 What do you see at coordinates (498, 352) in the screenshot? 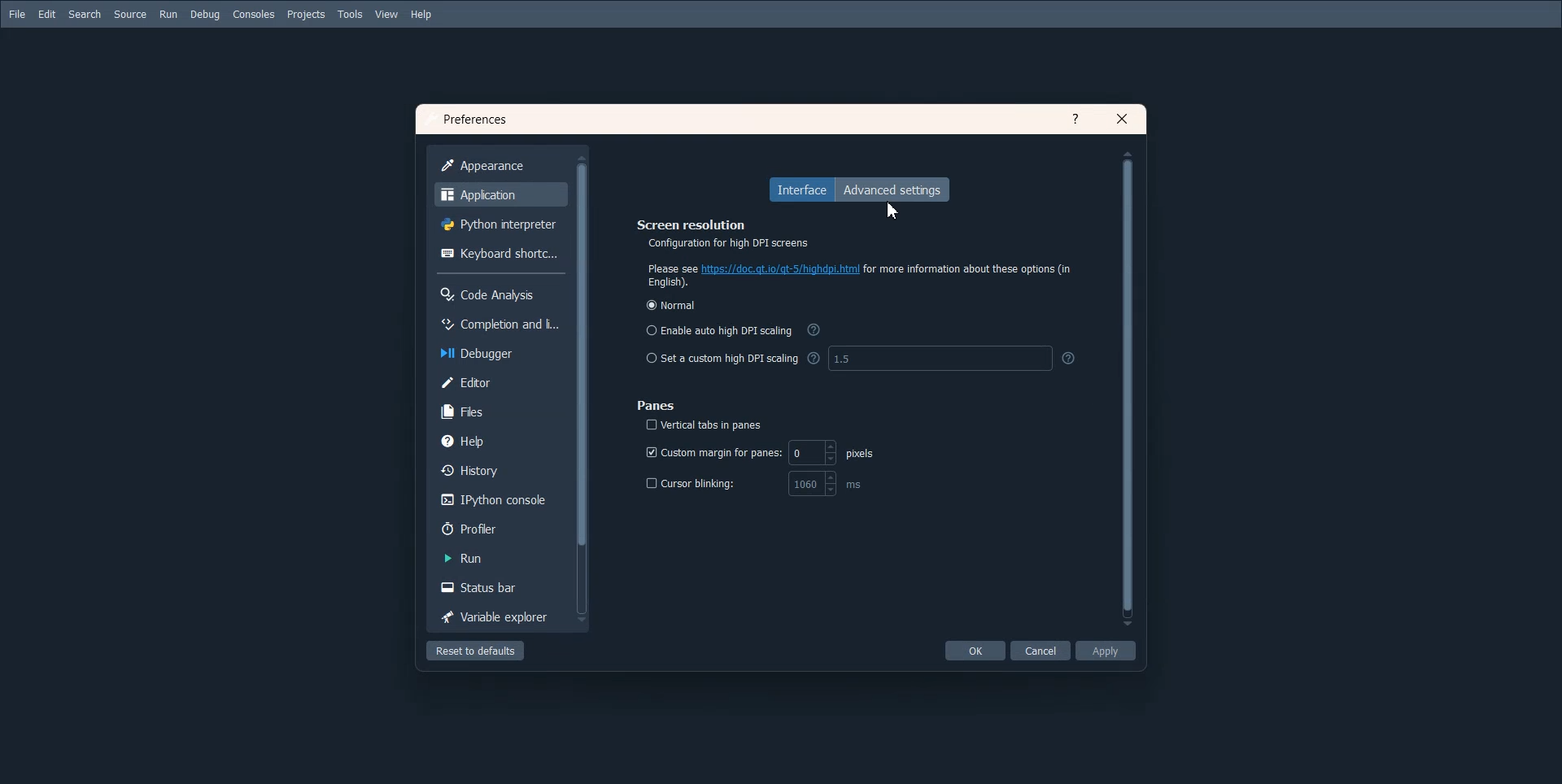
I see `Debugger` at bounding box center [498, 352].